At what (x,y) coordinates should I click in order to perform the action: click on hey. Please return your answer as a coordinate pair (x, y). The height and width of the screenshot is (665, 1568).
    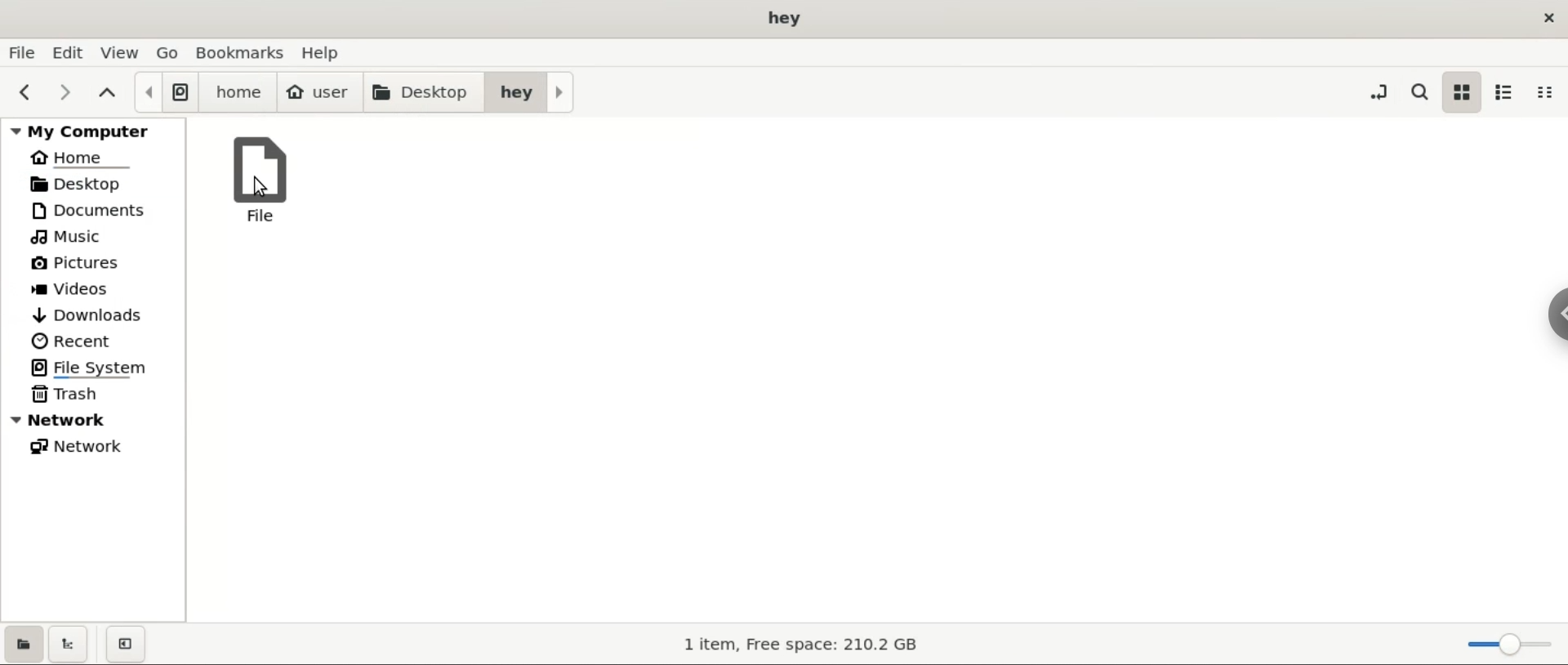
    Looking at the image, I should click on (536, 91).